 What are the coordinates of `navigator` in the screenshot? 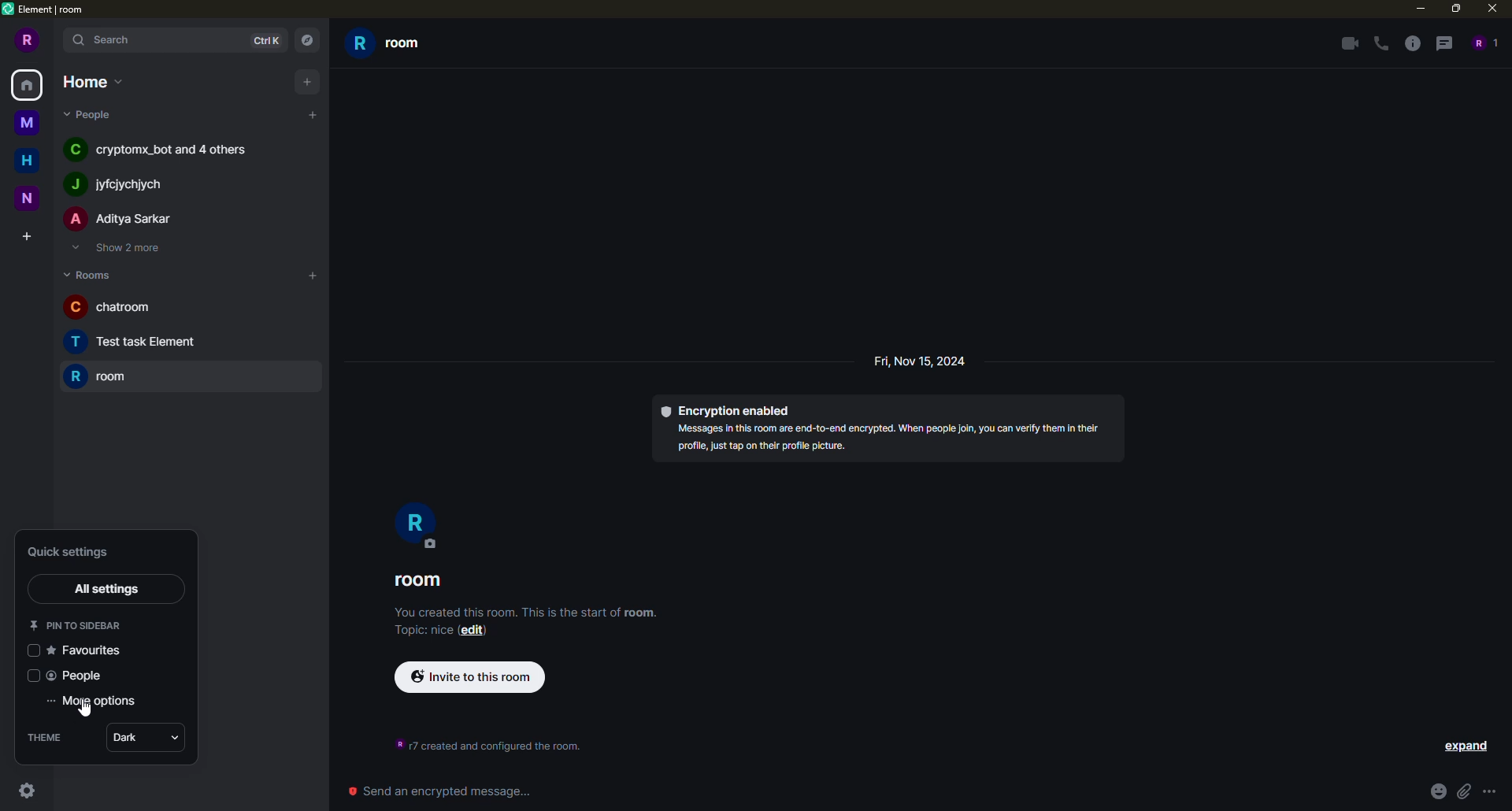 It's located at (308, 39).